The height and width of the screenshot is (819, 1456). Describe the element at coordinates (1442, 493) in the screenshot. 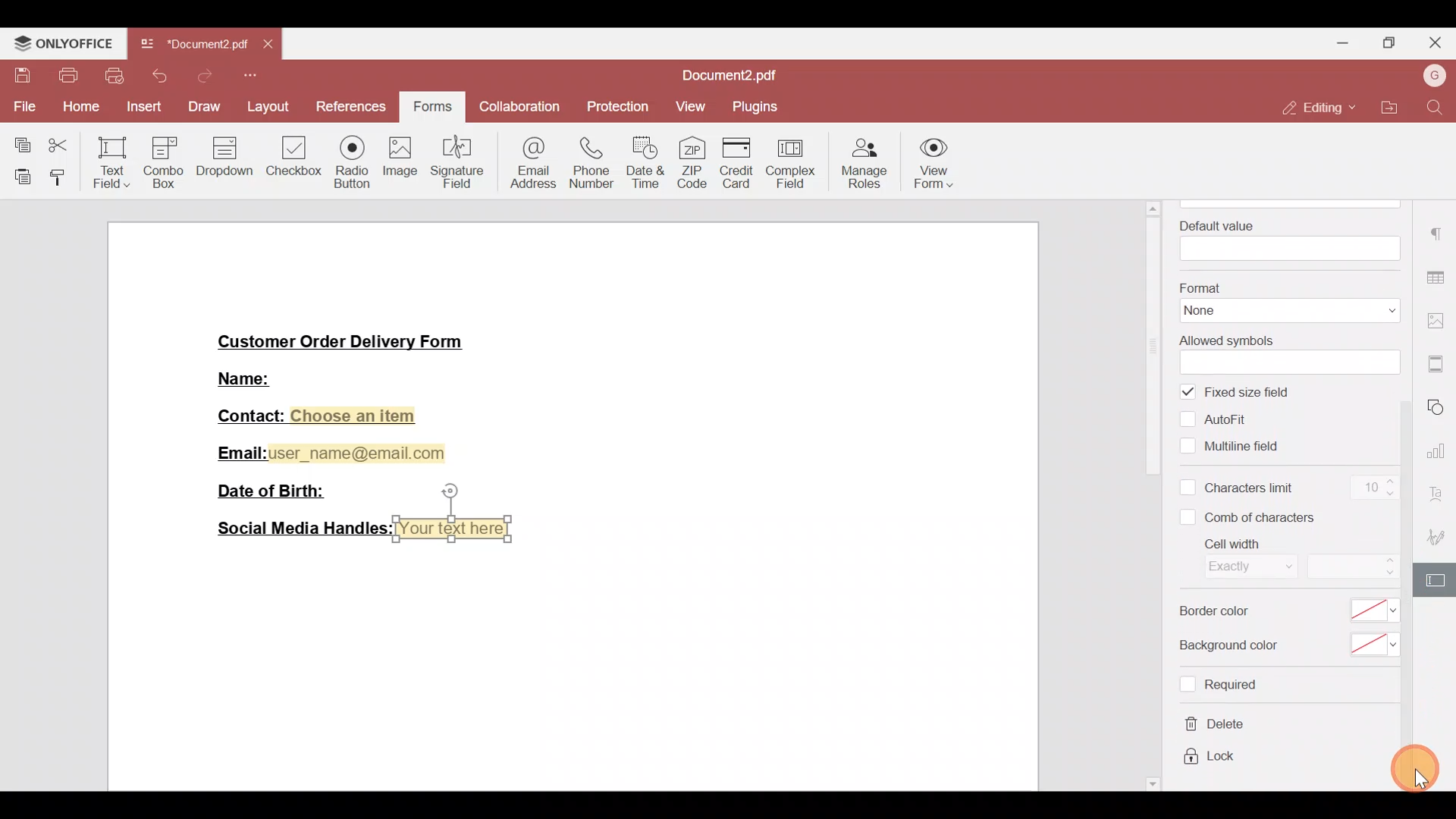

I see `Font settings` at that location.